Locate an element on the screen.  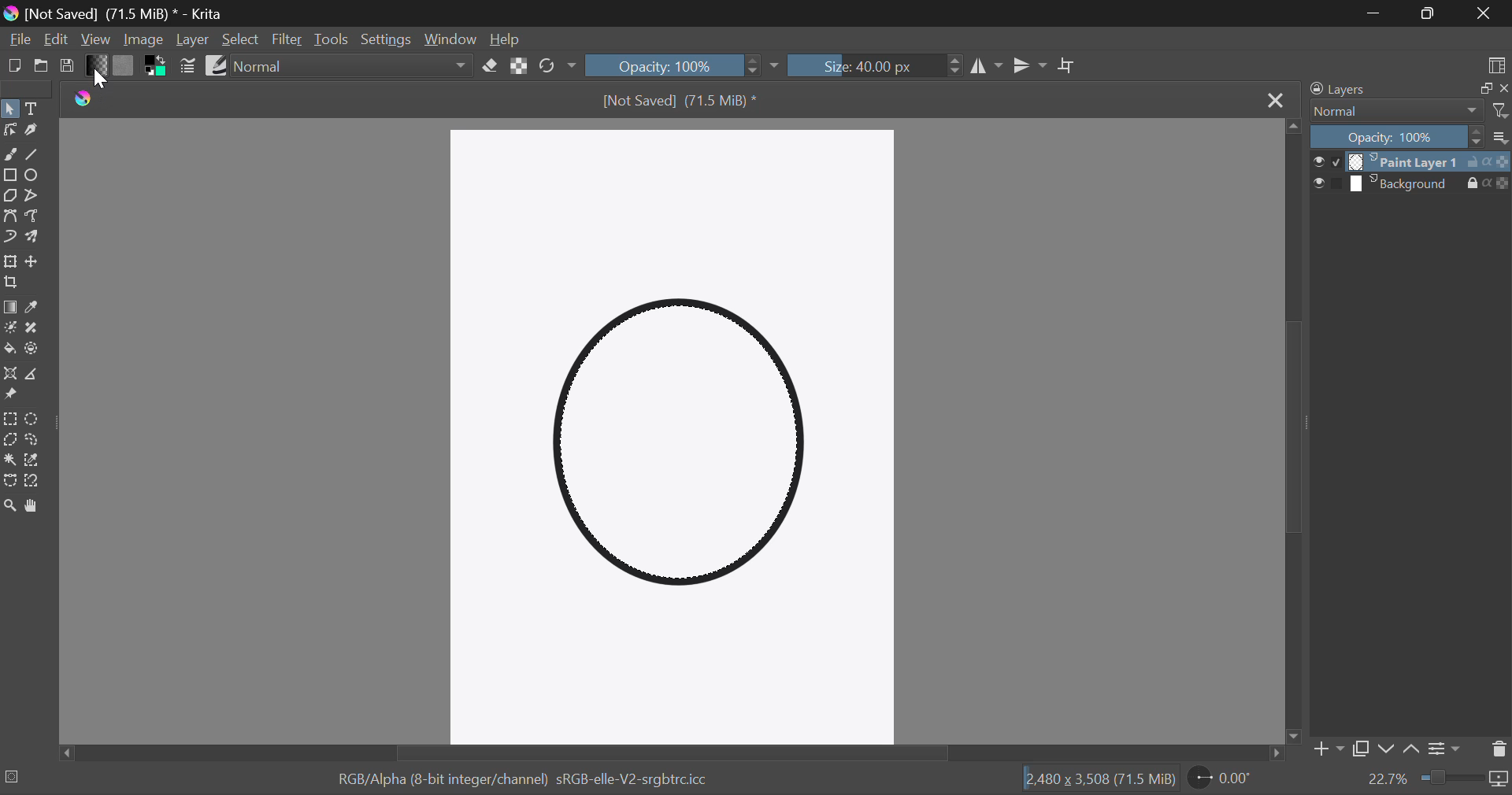
logo is located at coordinates (14, 15).